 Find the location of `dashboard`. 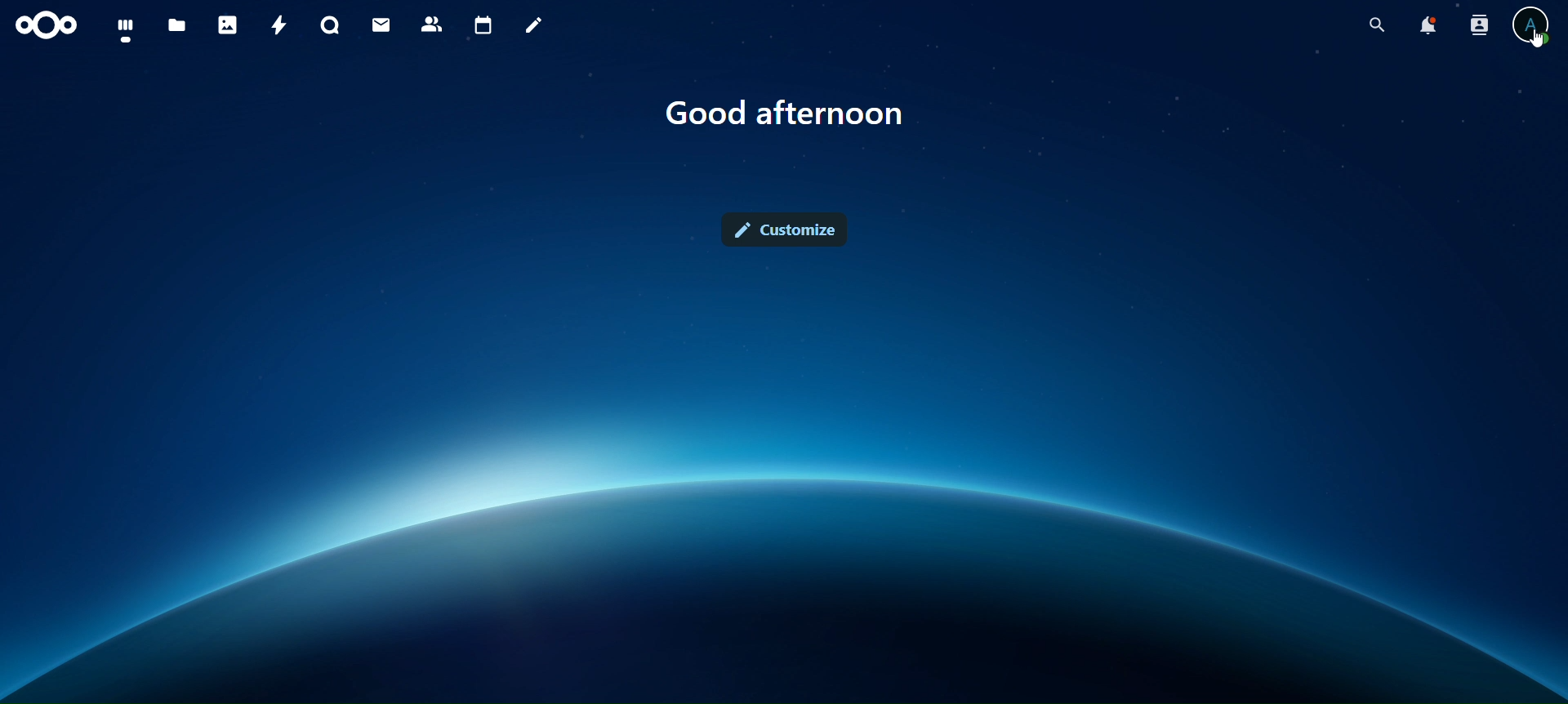

dashboard is located at coordinates (126, 29).